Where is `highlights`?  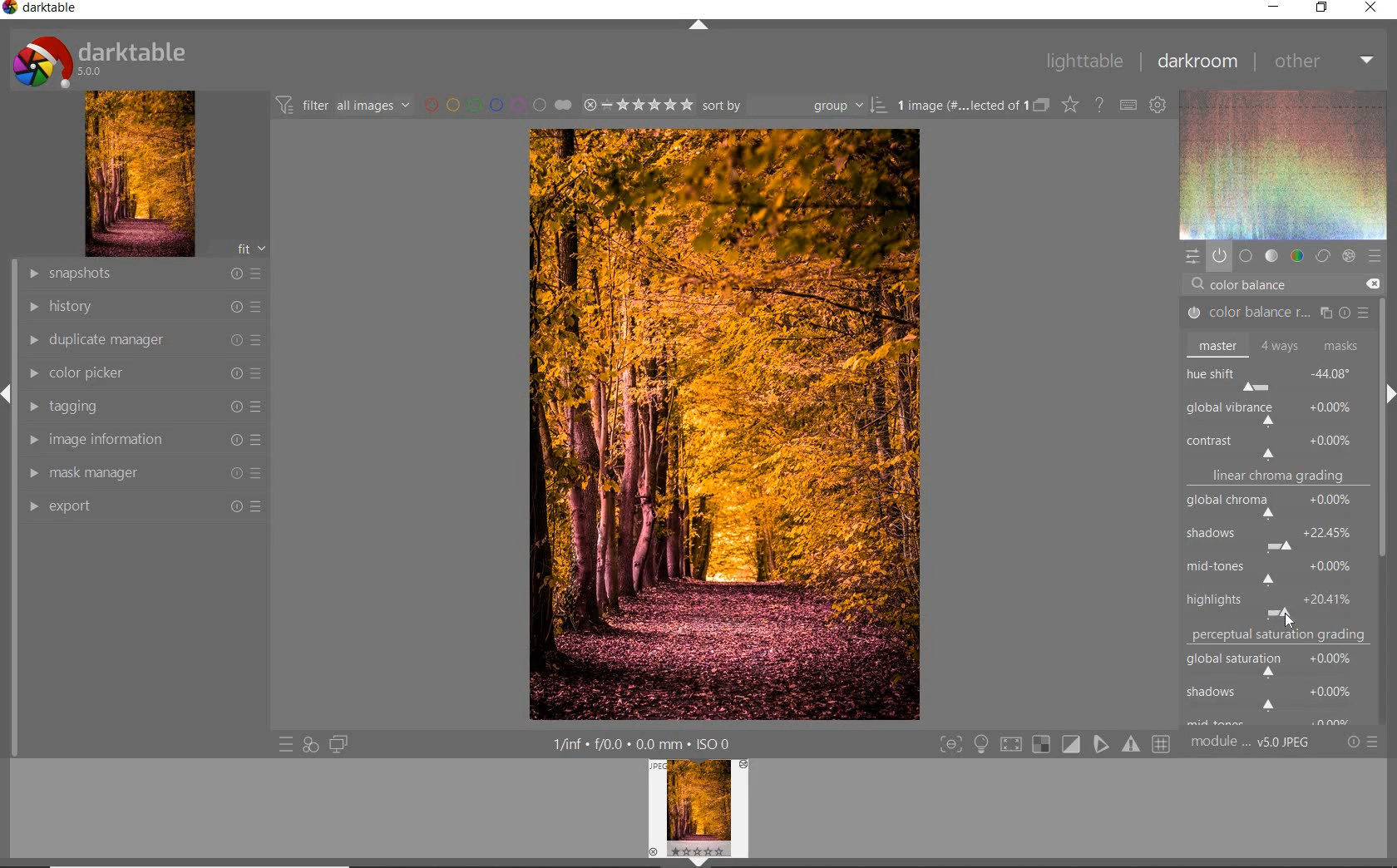
highlights is located at coordinates (1275, 601).